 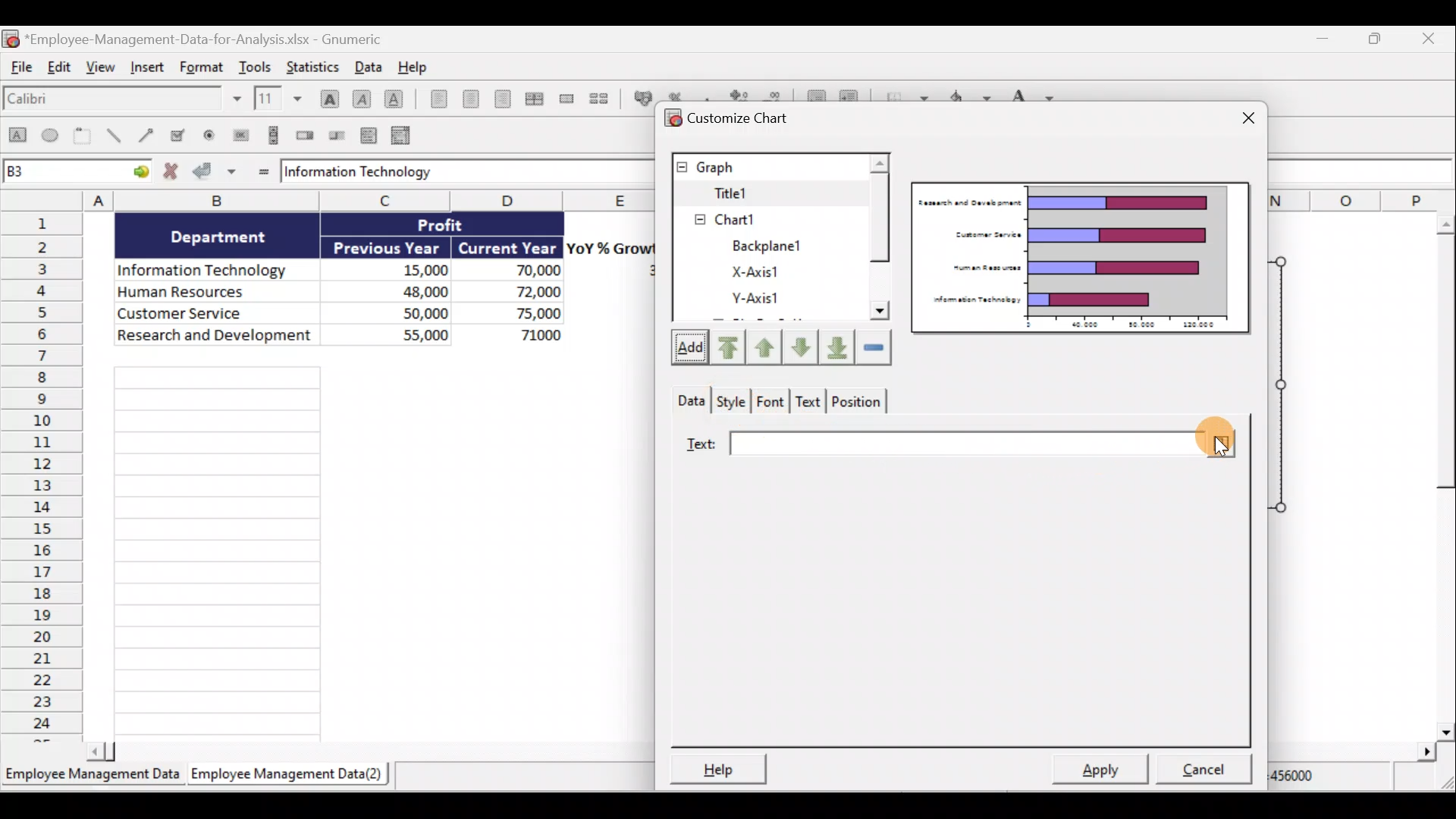 I want to click on Create a radio button, so click(x=212, y=134).